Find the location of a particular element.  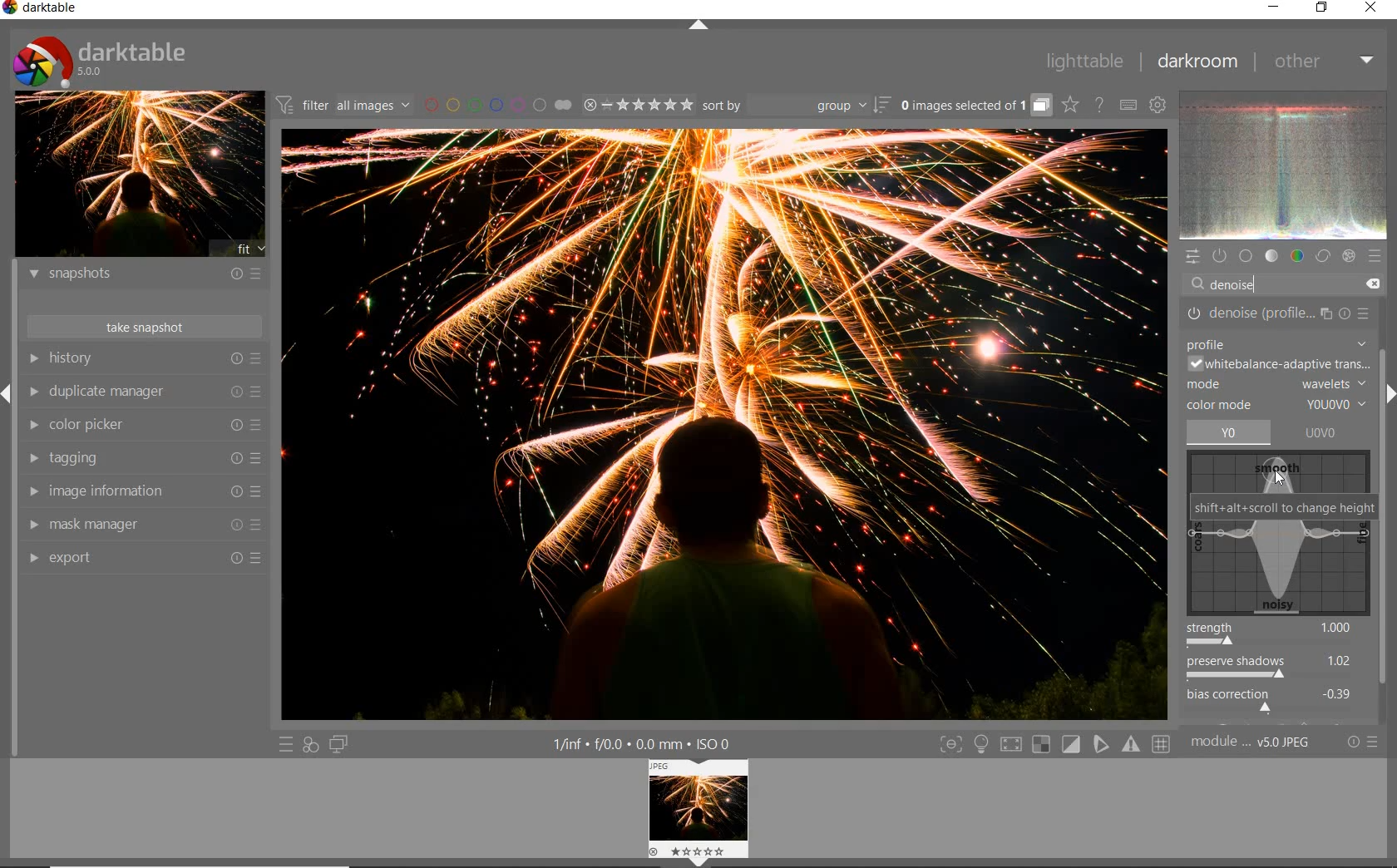

SHIFT+ALT+SCROLL TO CHANGE HEIGHT is located at coordinates (1284, 506).